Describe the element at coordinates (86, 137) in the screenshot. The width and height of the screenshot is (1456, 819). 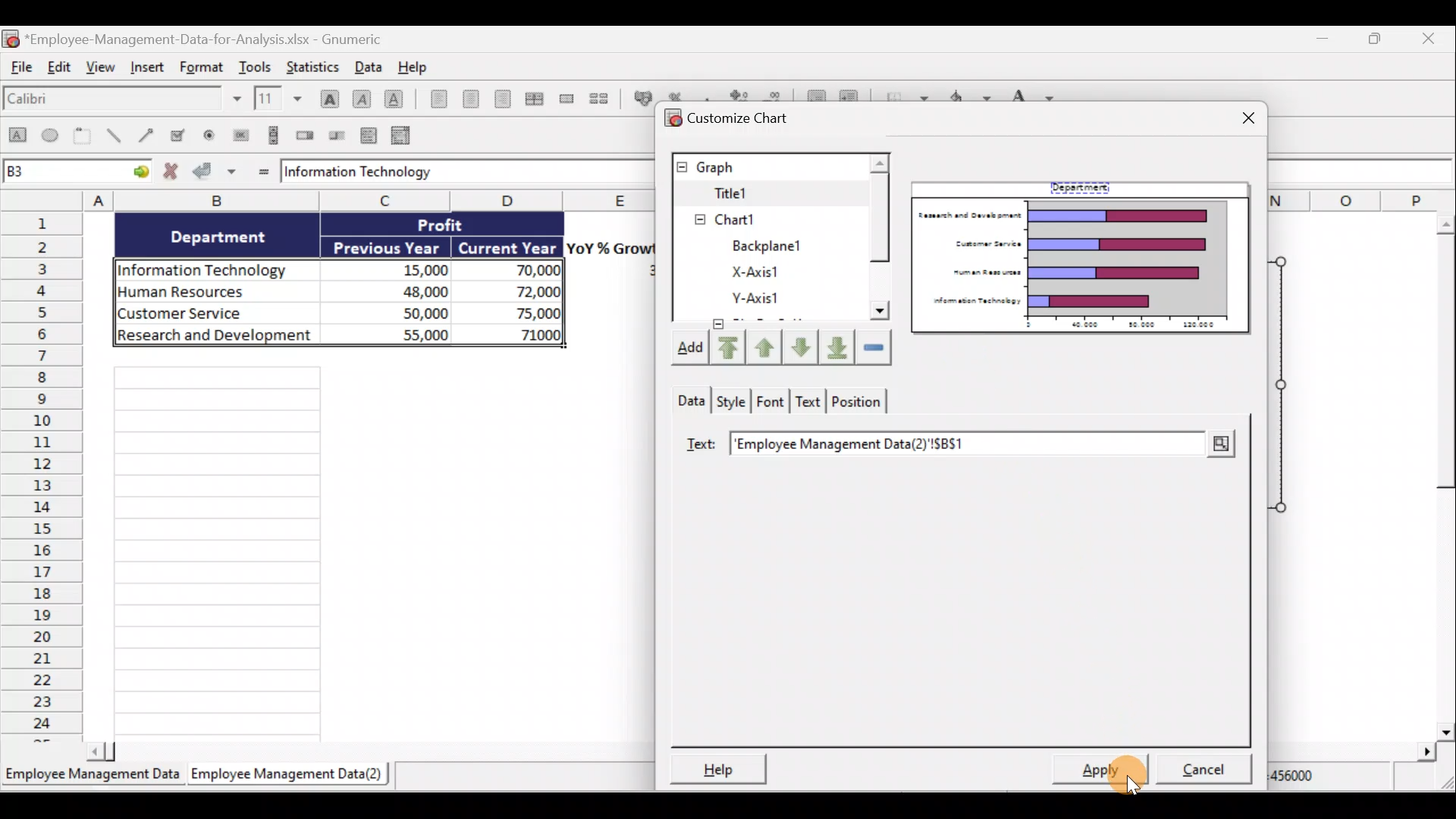
I see `Create a frame` at that location.